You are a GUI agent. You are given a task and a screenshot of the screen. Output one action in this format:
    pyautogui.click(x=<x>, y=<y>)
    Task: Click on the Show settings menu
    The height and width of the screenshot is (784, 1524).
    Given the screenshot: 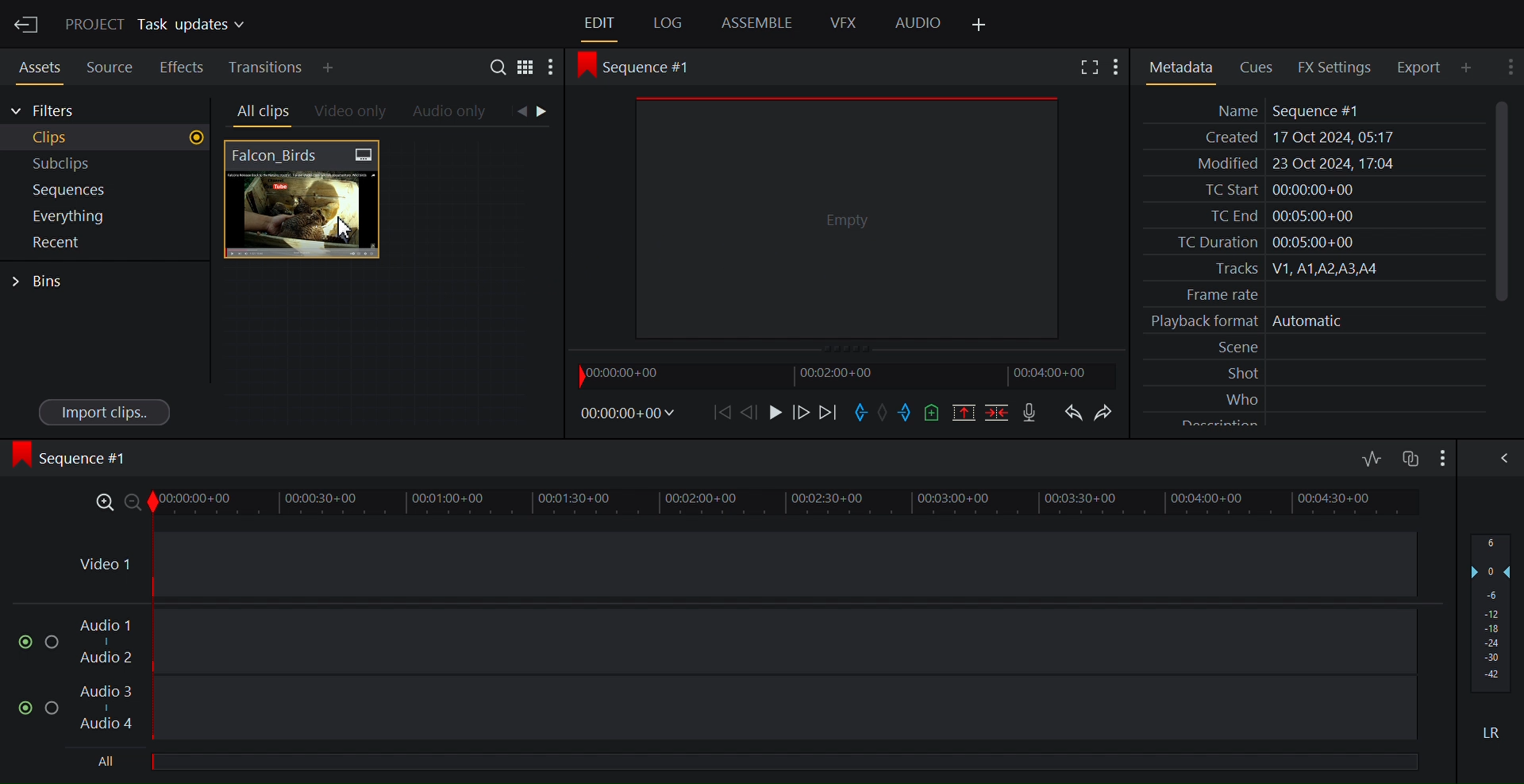 What is the action you would take?
    pyautogui.click(x=1120, y=67)
    